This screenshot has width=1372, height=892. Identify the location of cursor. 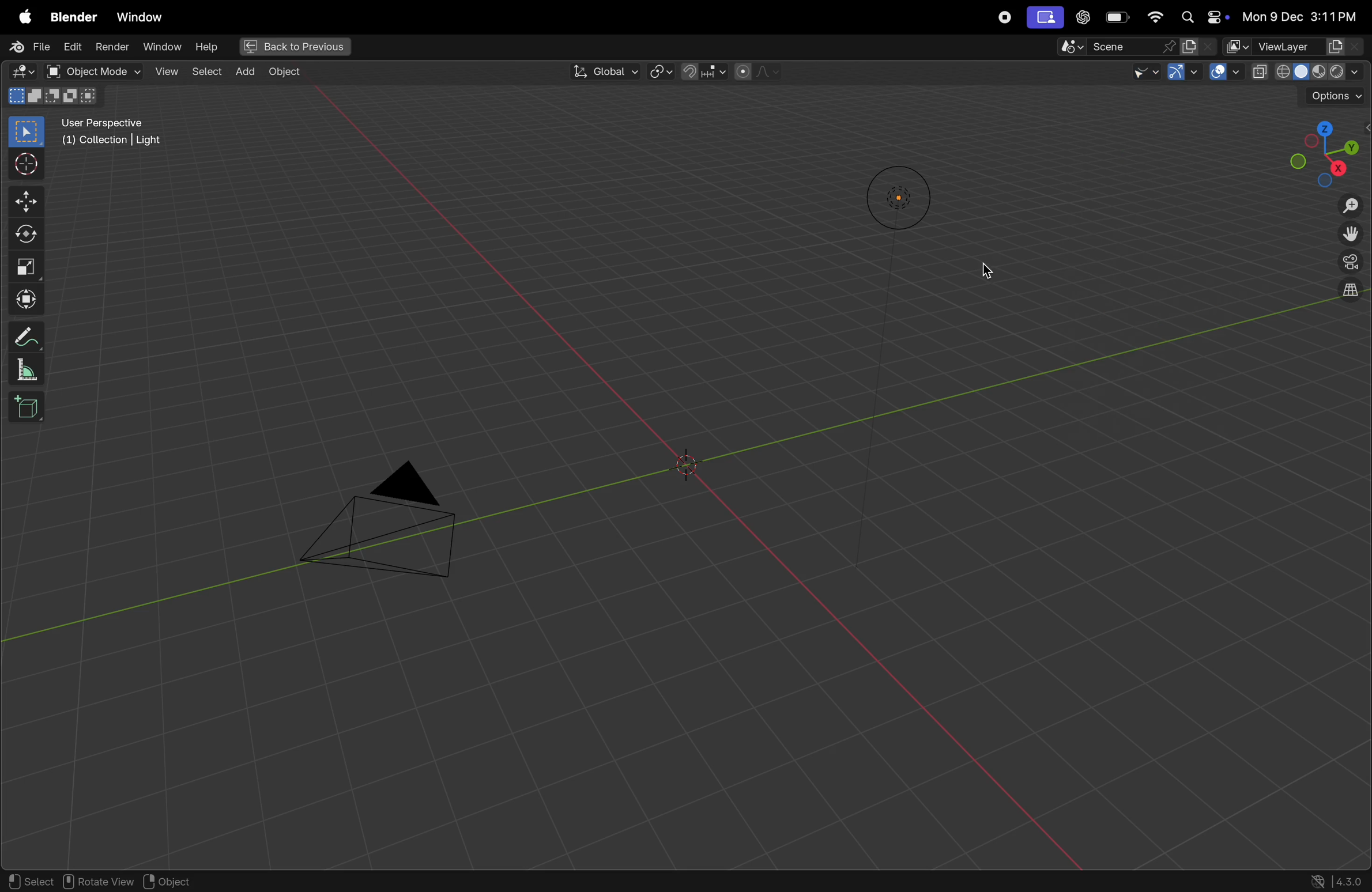
(27, 164).